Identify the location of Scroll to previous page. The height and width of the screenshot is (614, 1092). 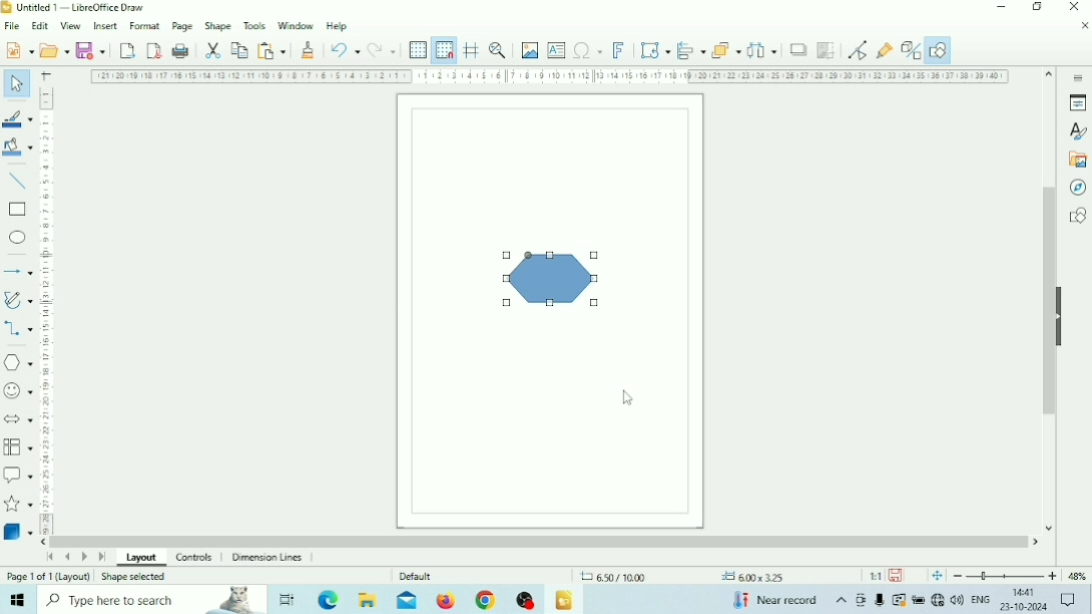
(67, 557).